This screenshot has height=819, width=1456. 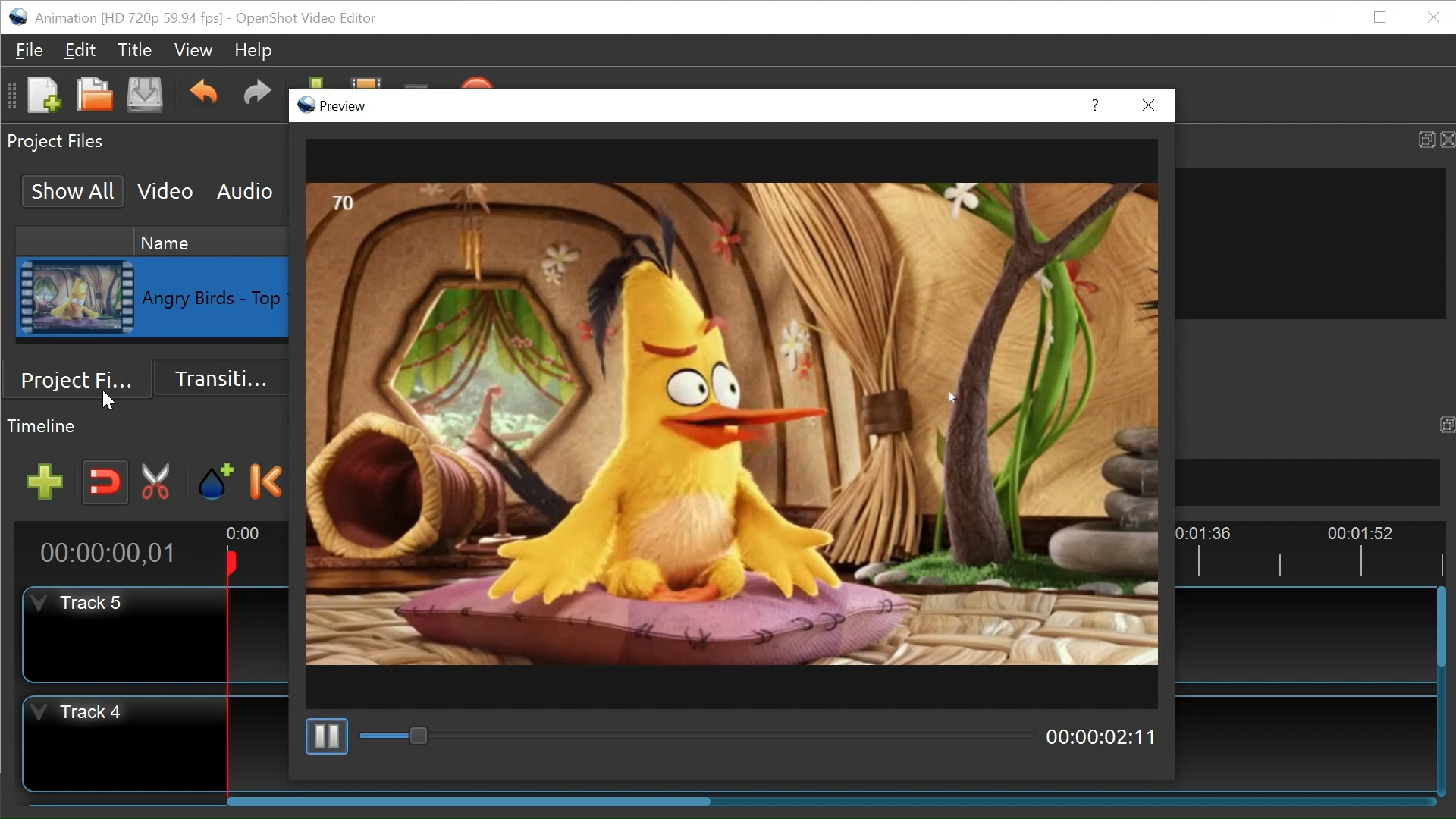 What do you see at coordinates (1328, 16) in the screenshot?
I see `minimize` at bounding box center [1328, 16].